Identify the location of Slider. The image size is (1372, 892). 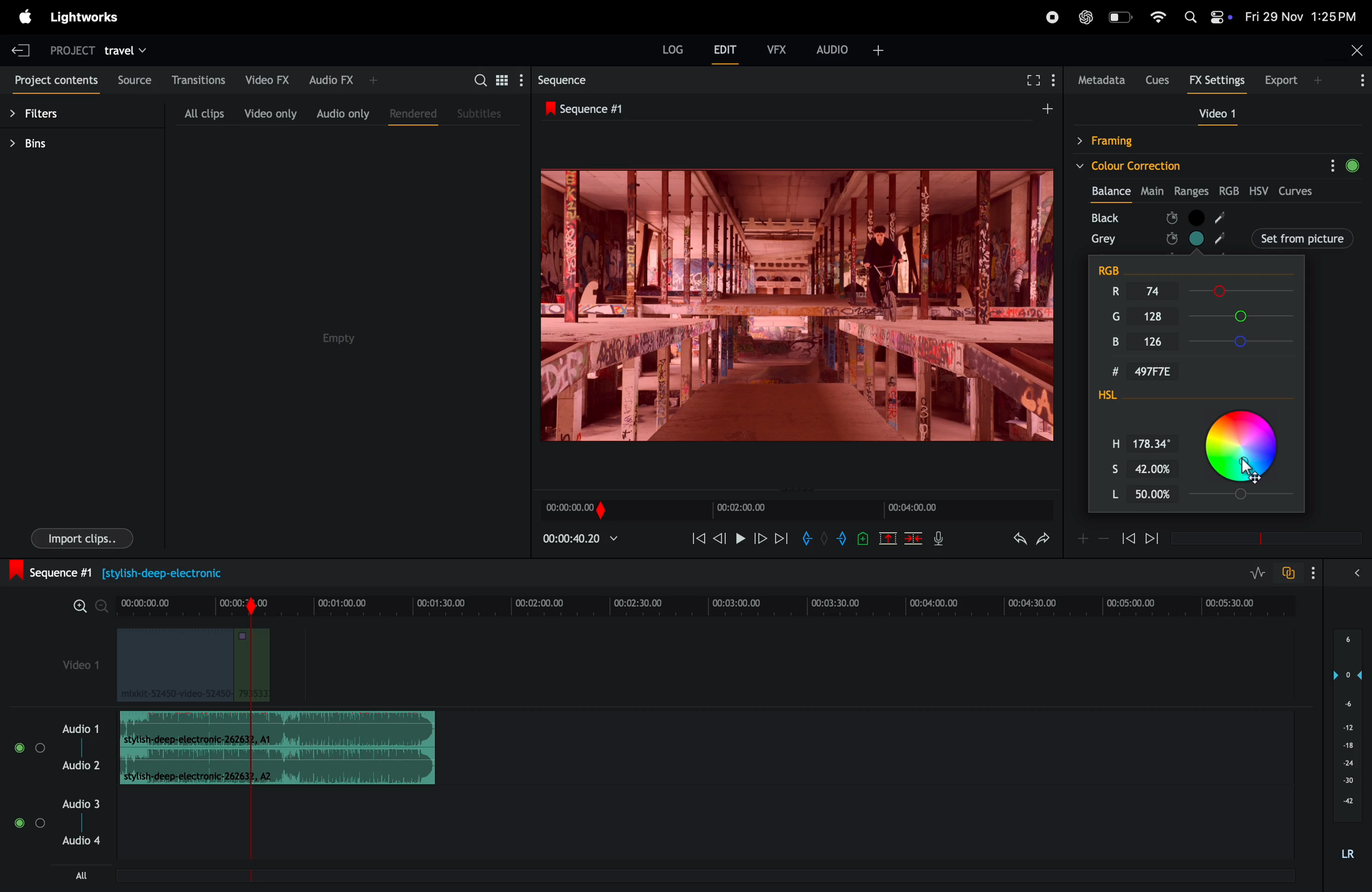
(1246, 496).